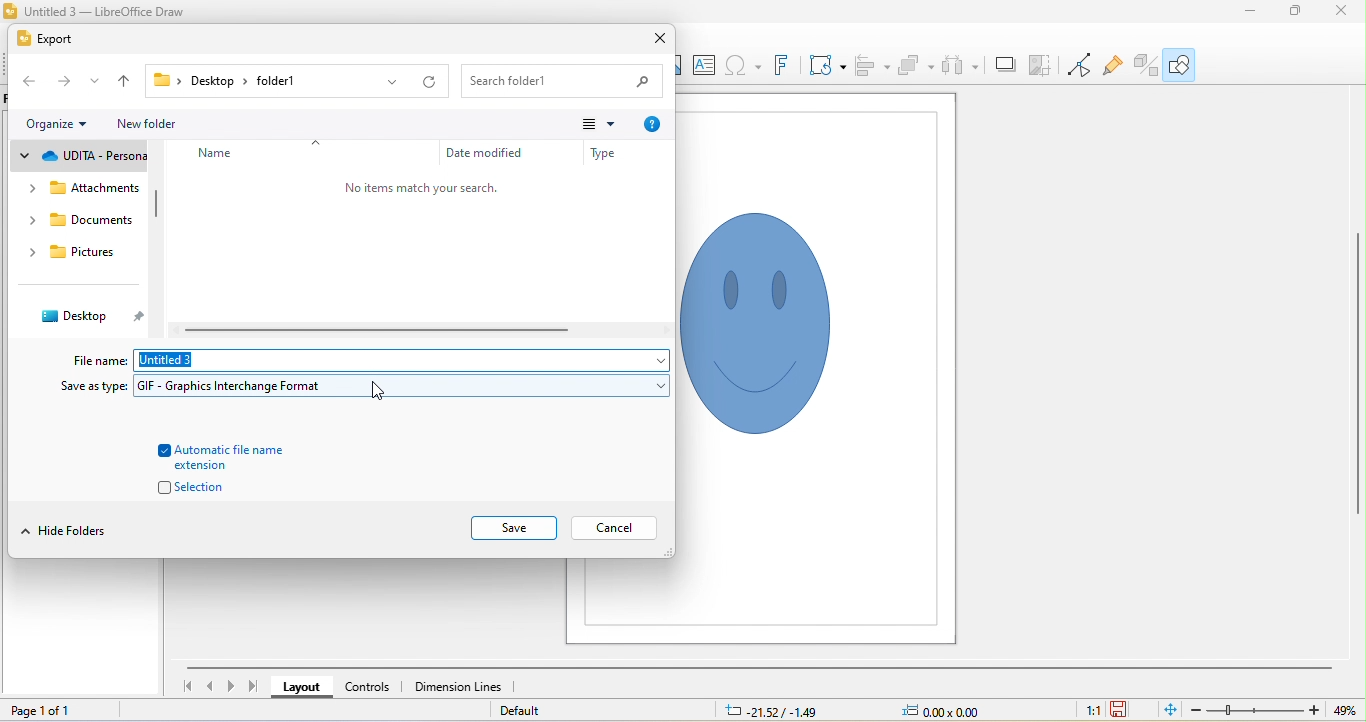 This screenshot has width=1366, height=722. I want to click on save, so click(1121, 709).